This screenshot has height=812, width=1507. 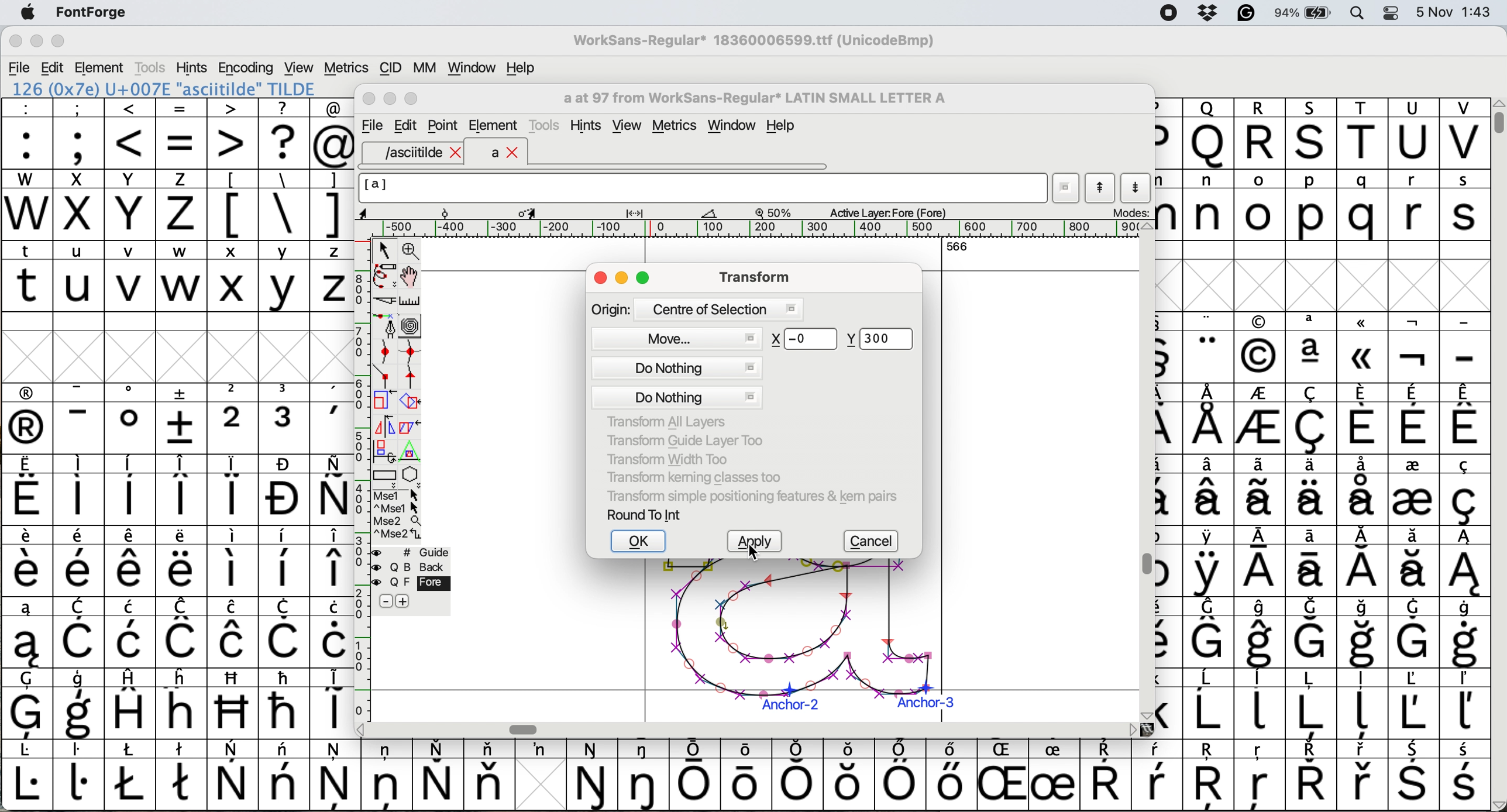 I want to click on symbol, so click(x=1310, y=775).